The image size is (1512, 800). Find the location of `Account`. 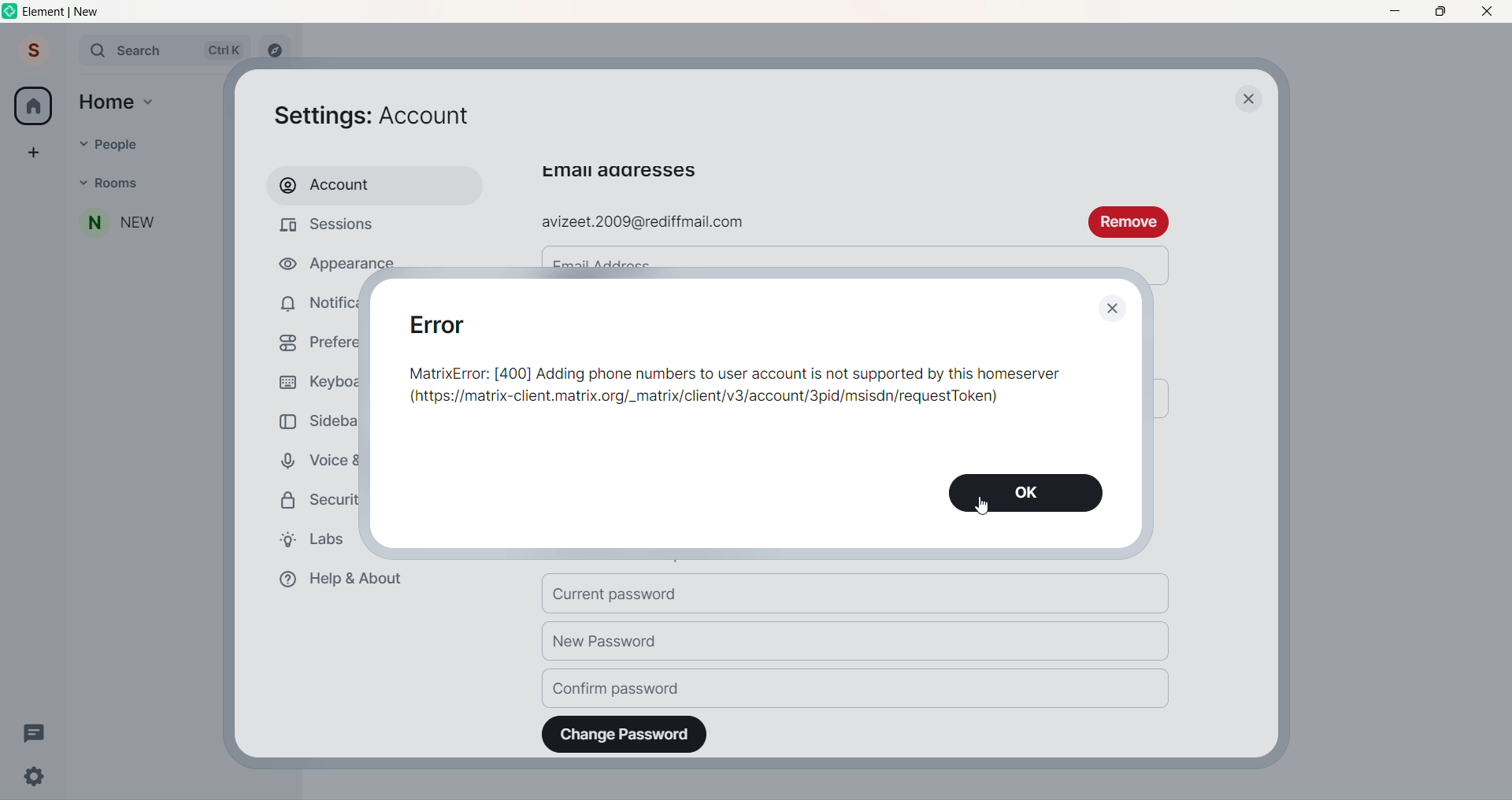

Account is located at coordinates (367, 185).